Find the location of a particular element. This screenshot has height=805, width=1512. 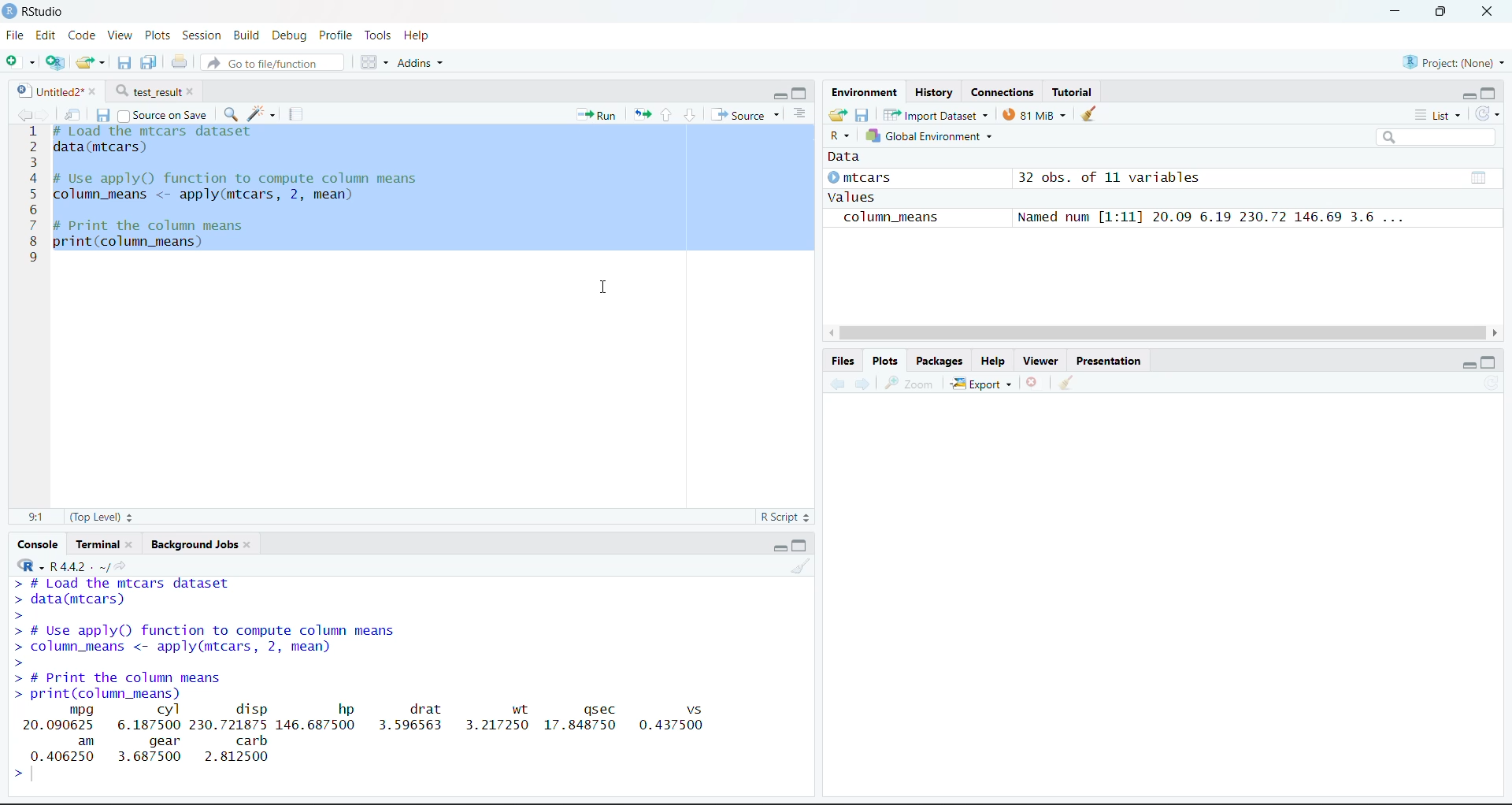

Debug is located at coordinates (289, 35).